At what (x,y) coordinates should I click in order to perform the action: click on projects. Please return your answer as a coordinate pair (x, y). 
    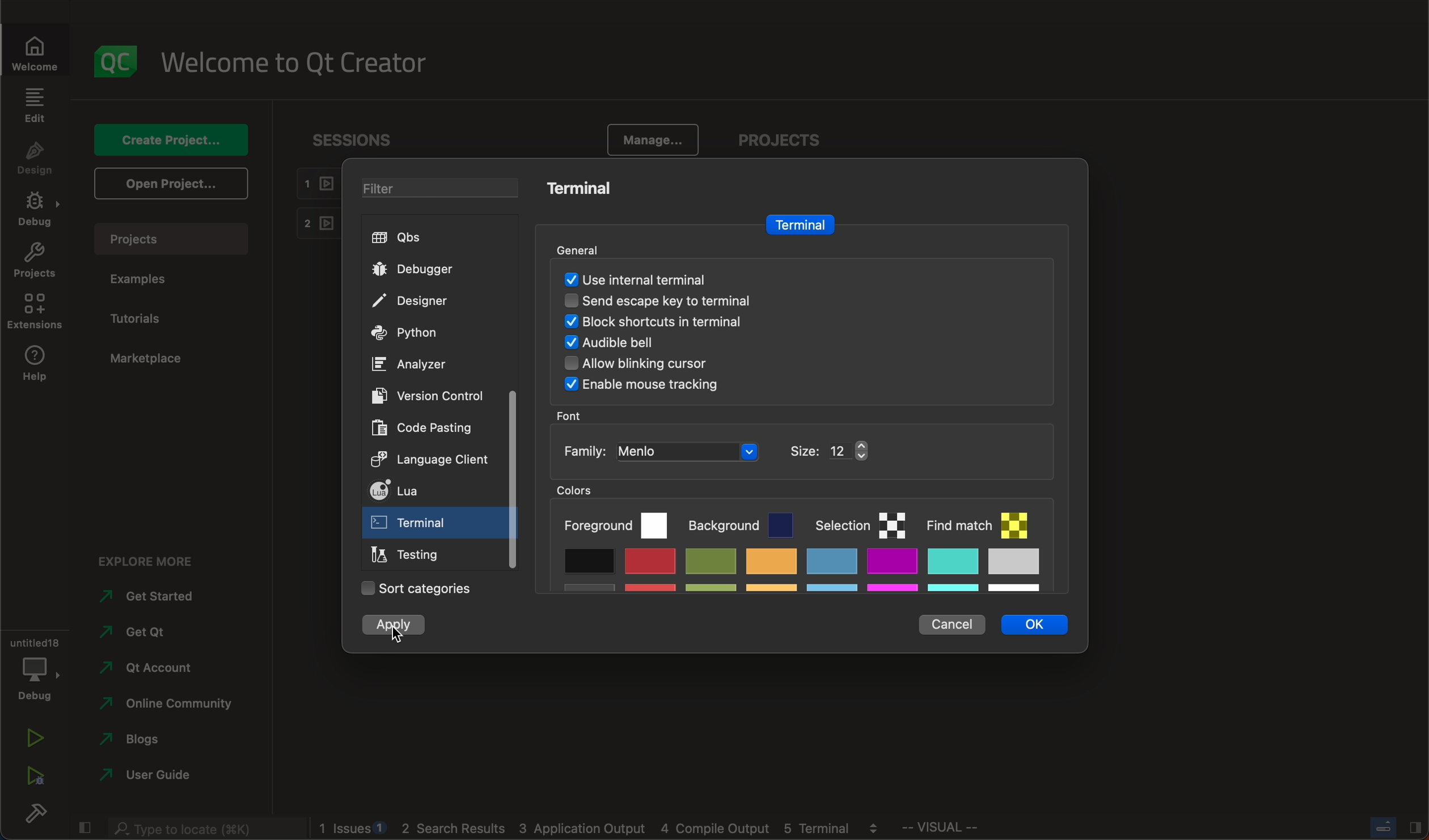
    Looking at the image, I should click on (35, 262).